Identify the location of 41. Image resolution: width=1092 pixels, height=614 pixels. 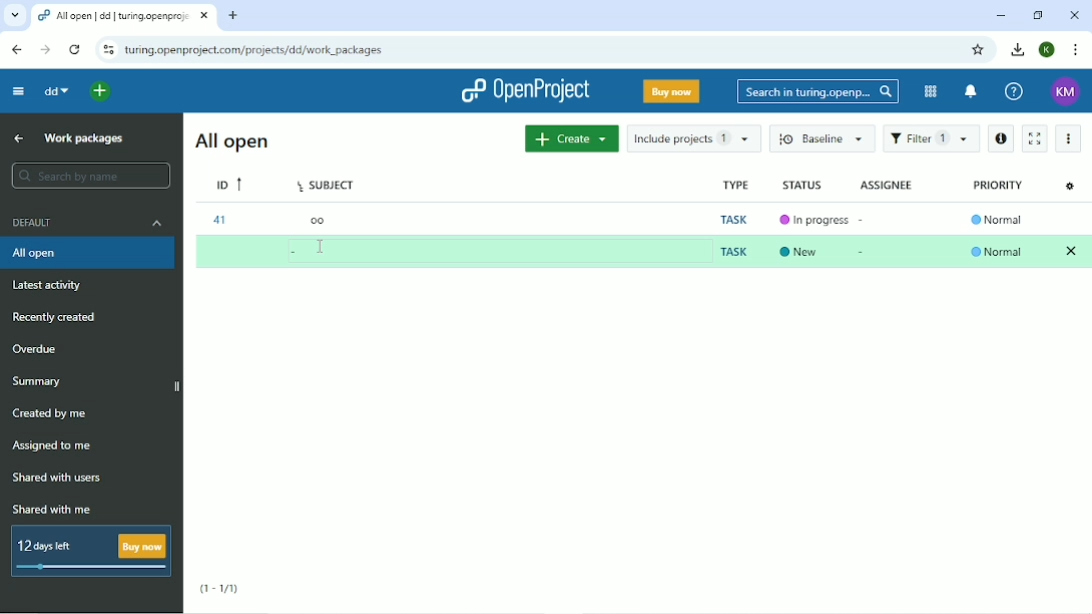
(220, 221).